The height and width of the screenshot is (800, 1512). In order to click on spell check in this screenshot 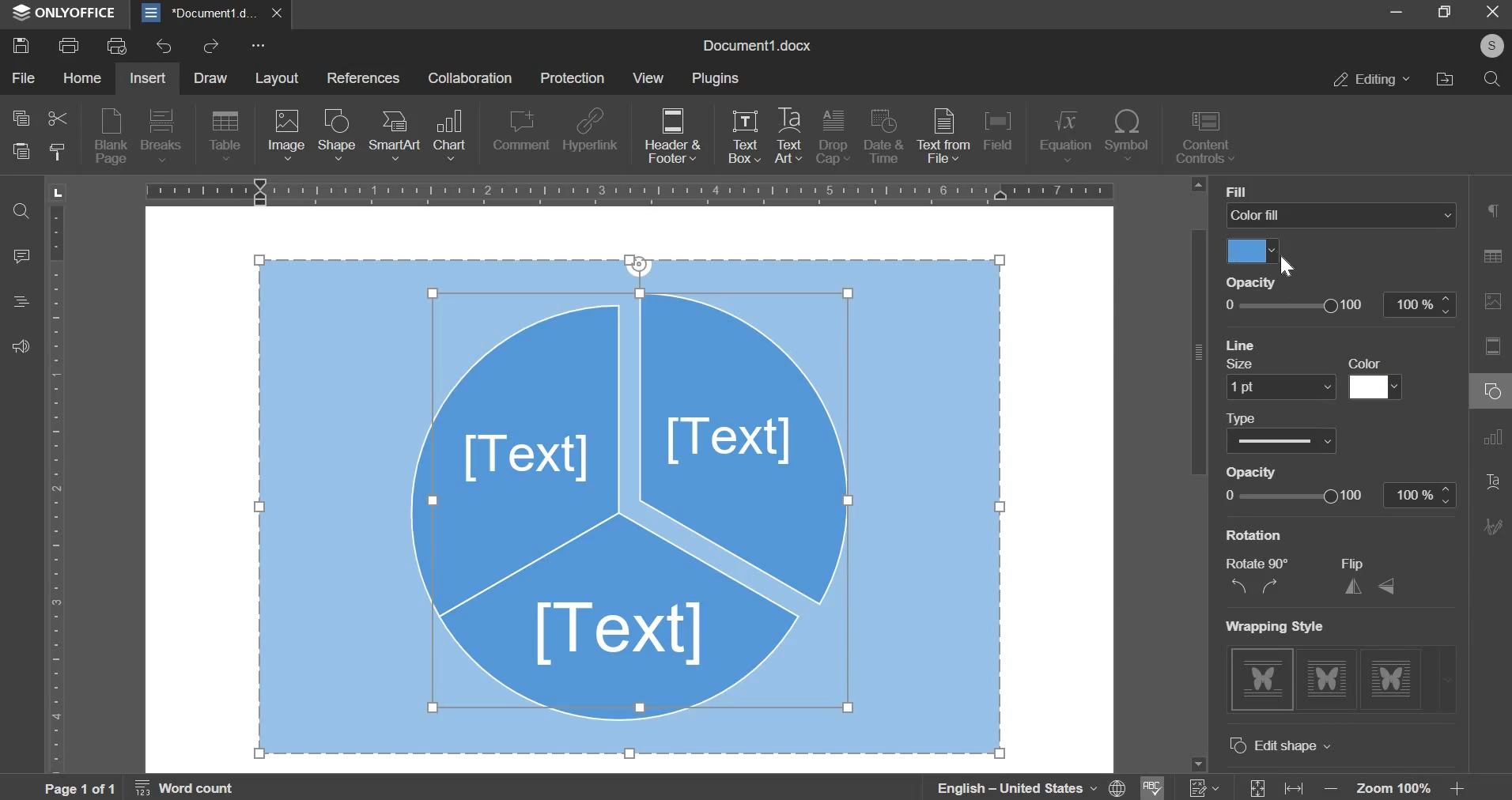, I will do `click(1151, 787)`.